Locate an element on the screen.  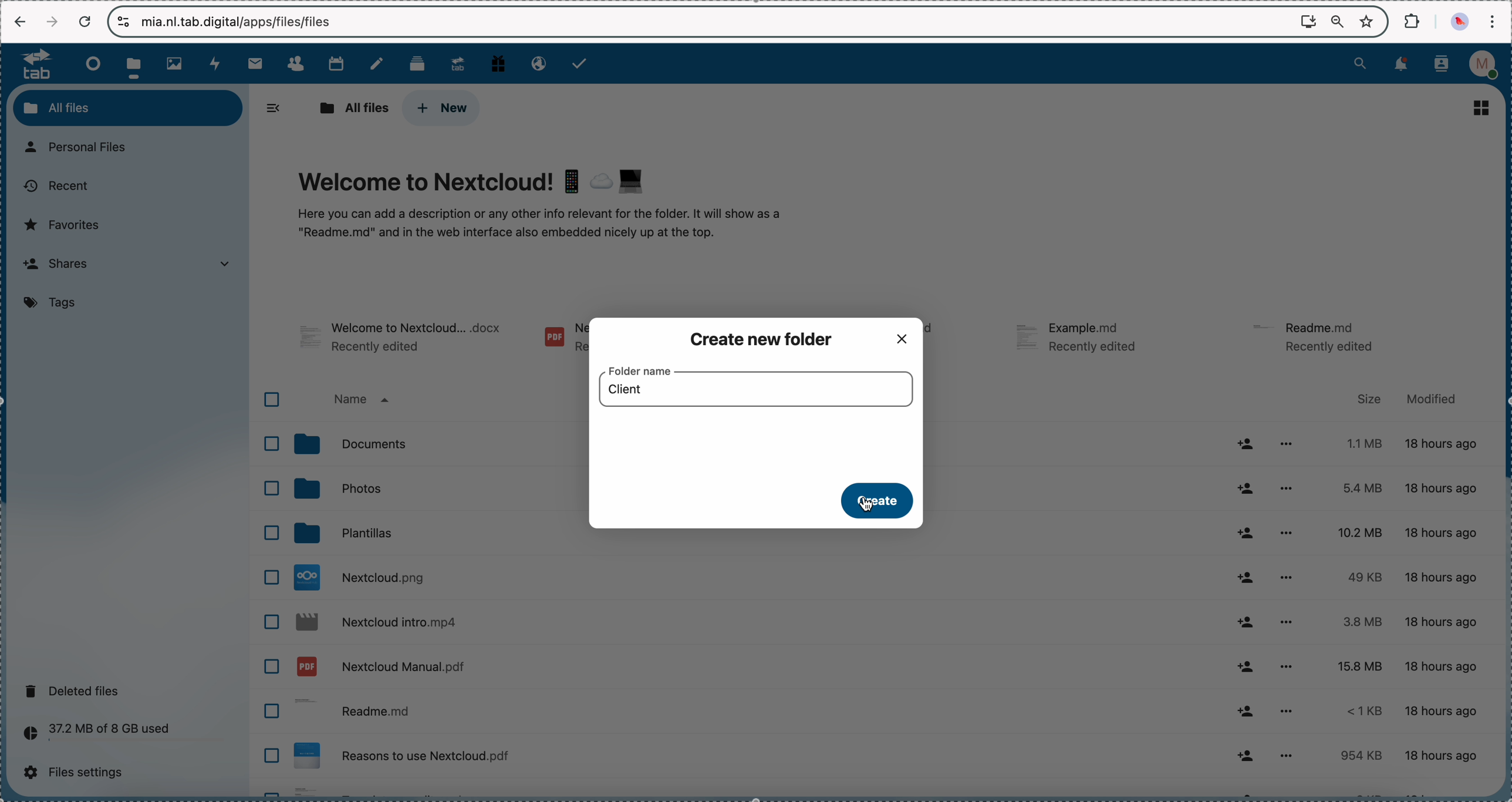
37.2 MB of 8 GB is located at coordinates (93, 735).